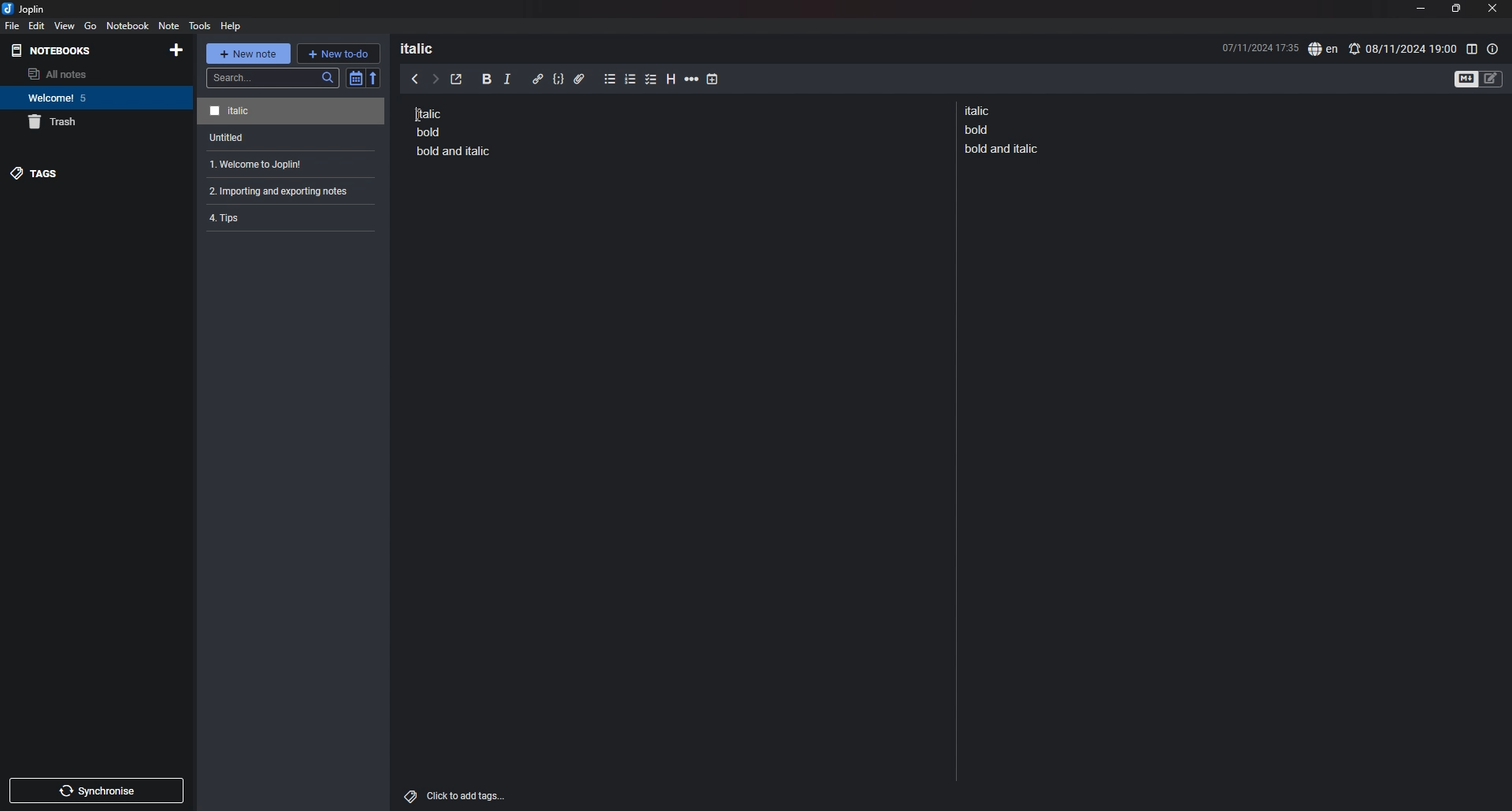 This screenshot has height=811, width=1512. Describe the element at coordinates (128, 25) in the screenshot. I see `notebook` at that location.